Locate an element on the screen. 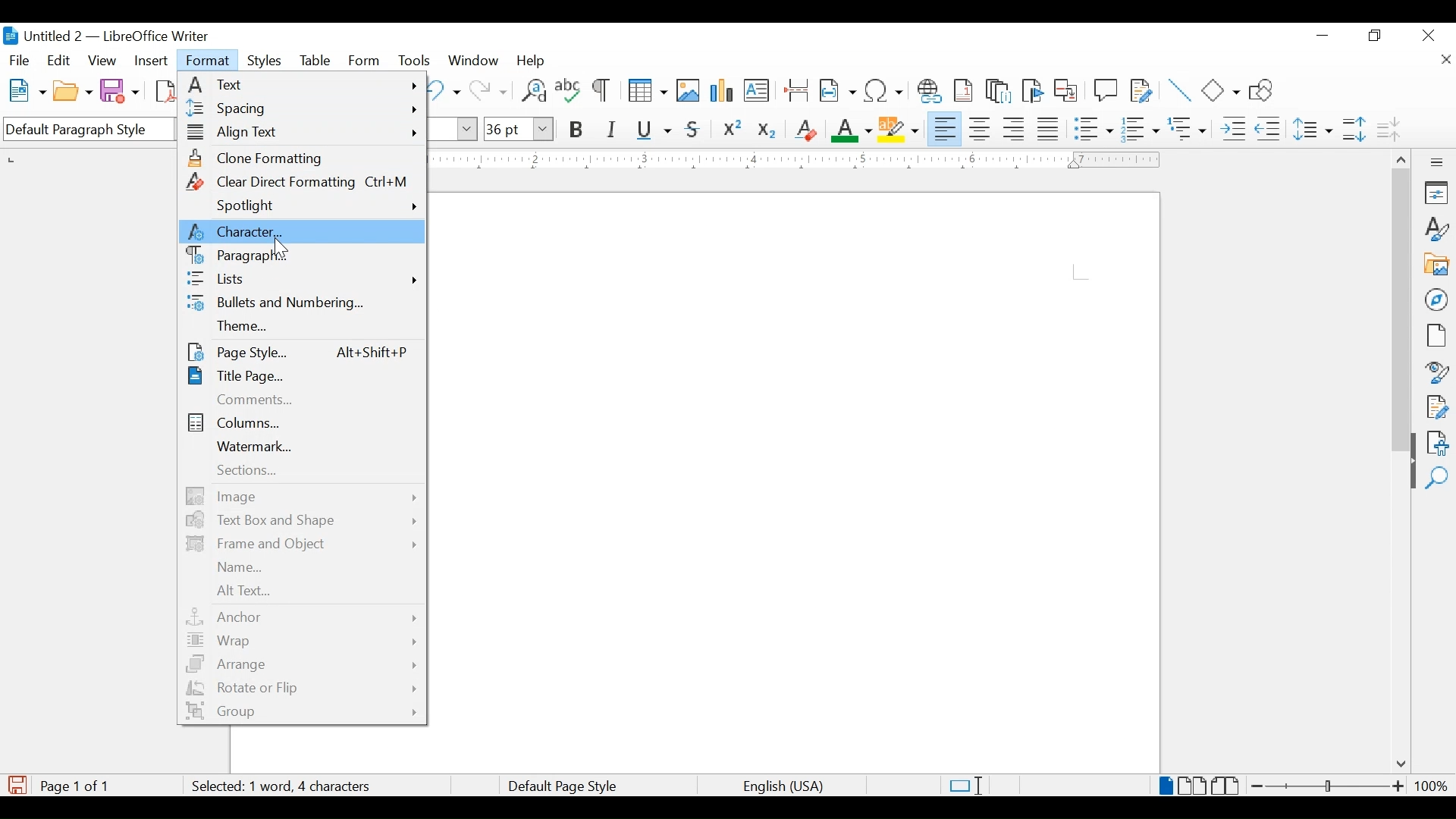  close is located at coordinates (1445, 61).